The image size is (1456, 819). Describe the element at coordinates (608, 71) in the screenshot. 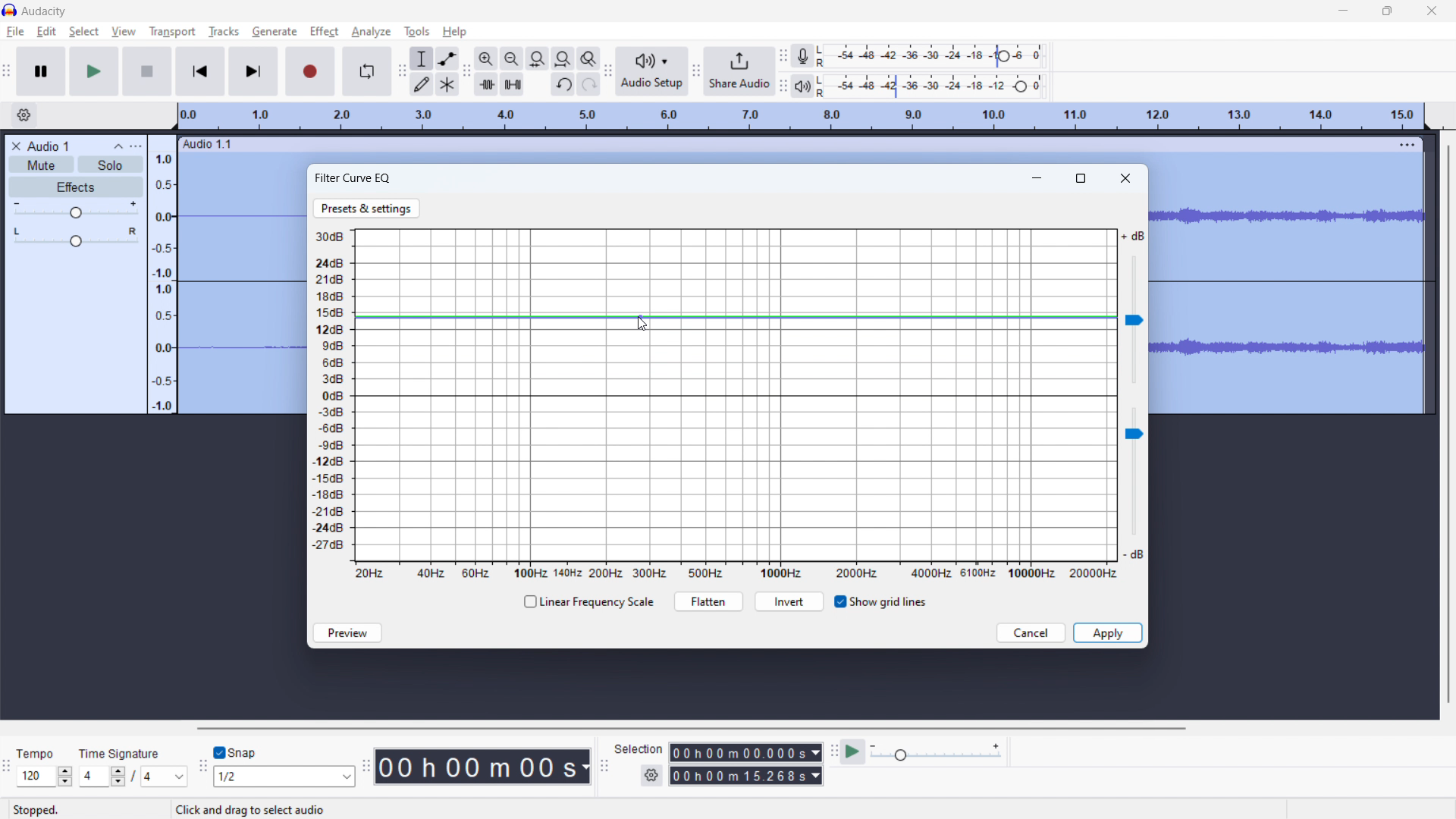

I see `audio setup toolbar` at that location.